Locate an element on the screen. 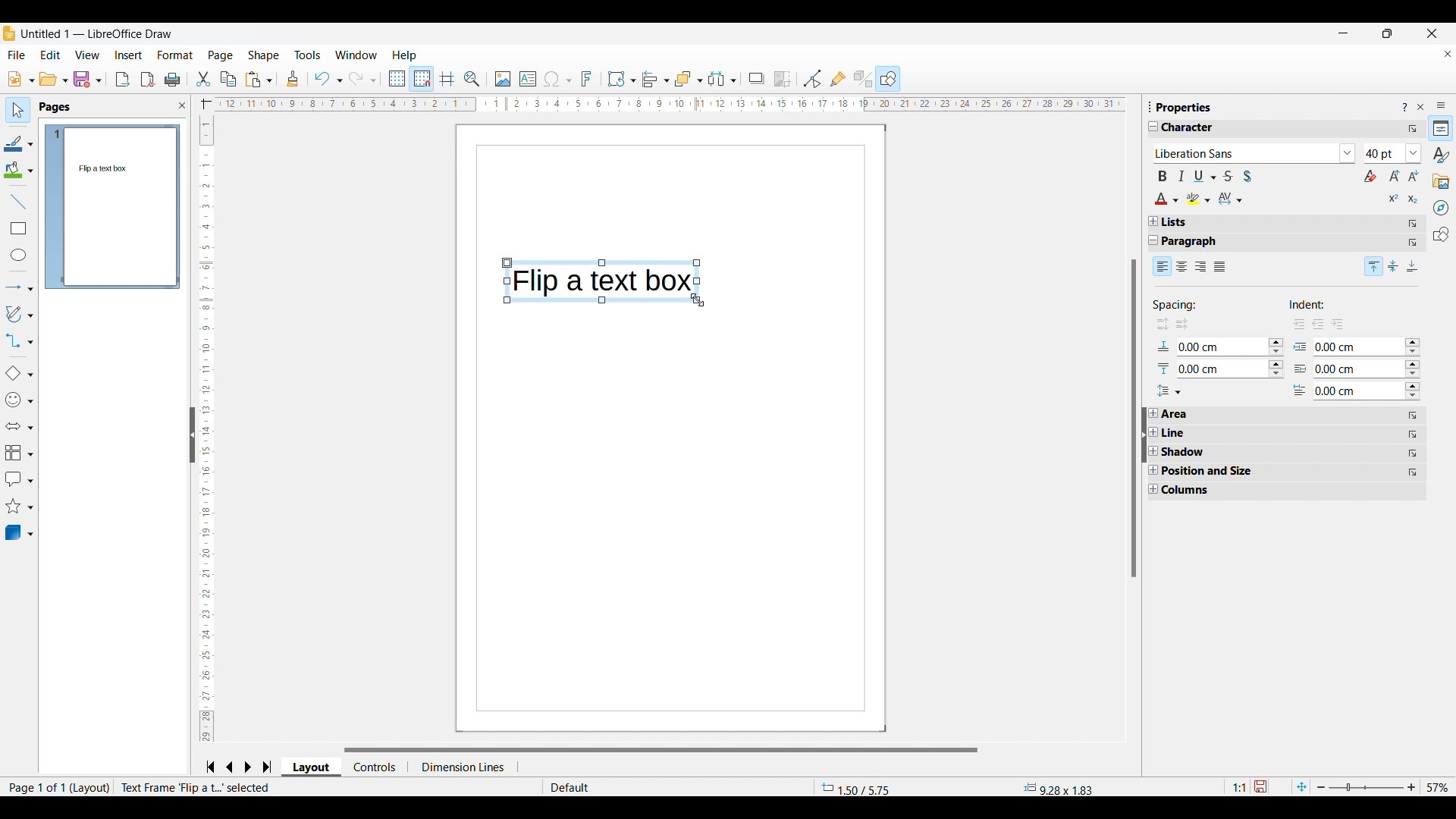  Italics is located at coordinates (1181, 176).